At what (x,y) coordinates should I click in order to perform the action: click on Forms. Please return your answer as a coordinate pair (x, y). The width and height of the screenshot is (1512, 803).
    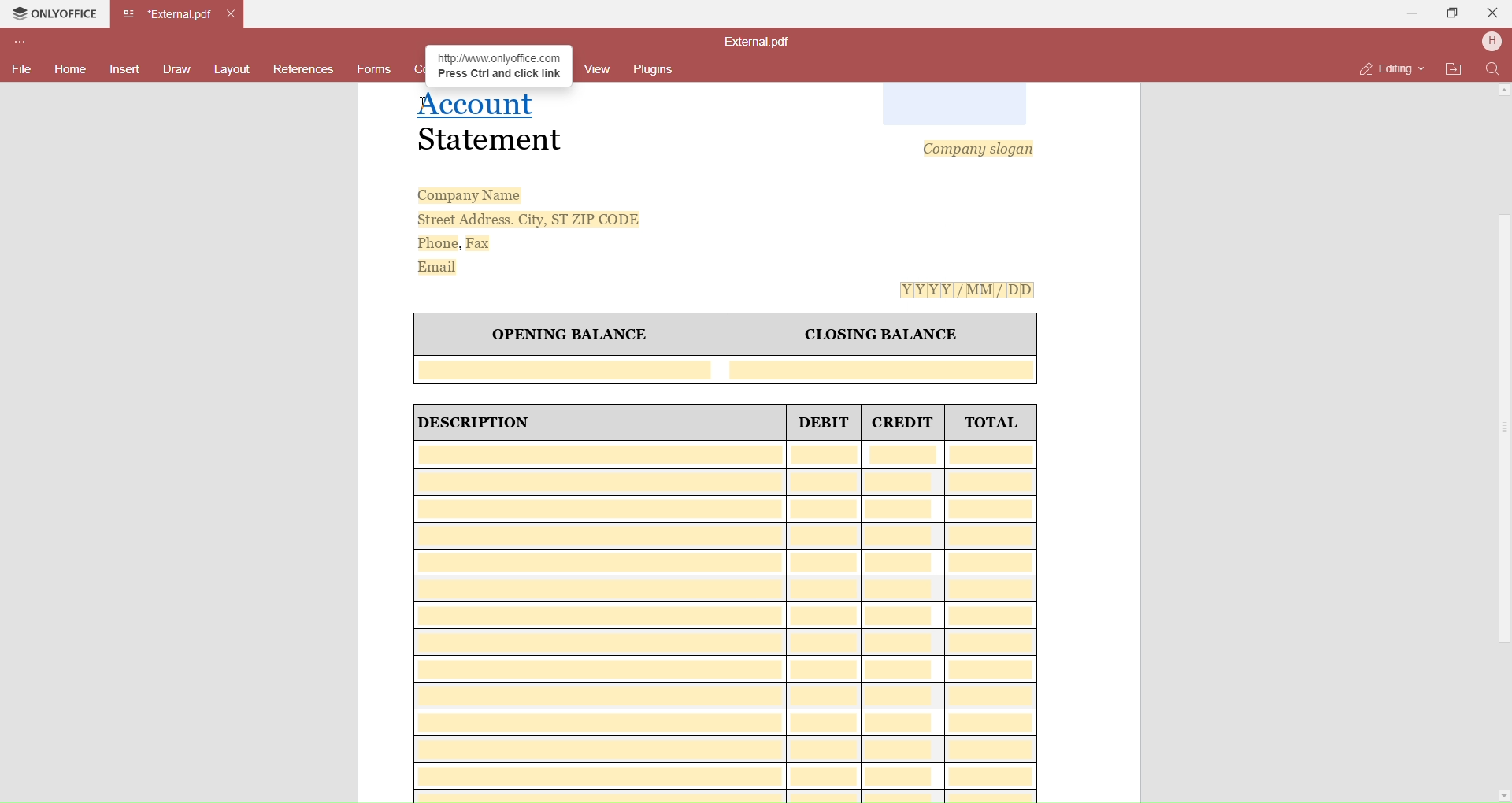
    Looking at the image, I should click on (374, 68).